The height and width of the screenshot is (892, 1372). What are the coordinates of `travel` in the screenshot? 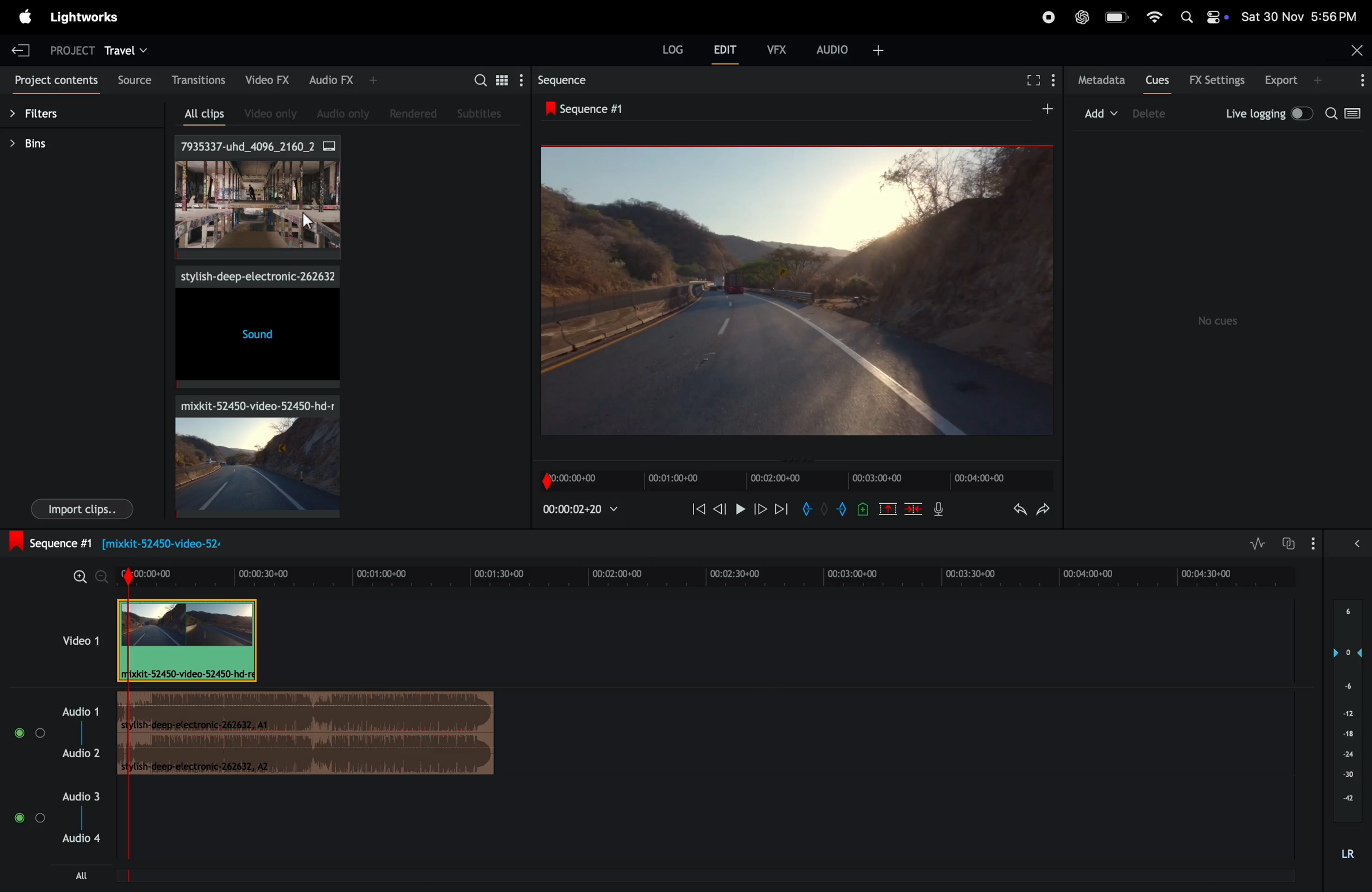 It's located at (128, 50).